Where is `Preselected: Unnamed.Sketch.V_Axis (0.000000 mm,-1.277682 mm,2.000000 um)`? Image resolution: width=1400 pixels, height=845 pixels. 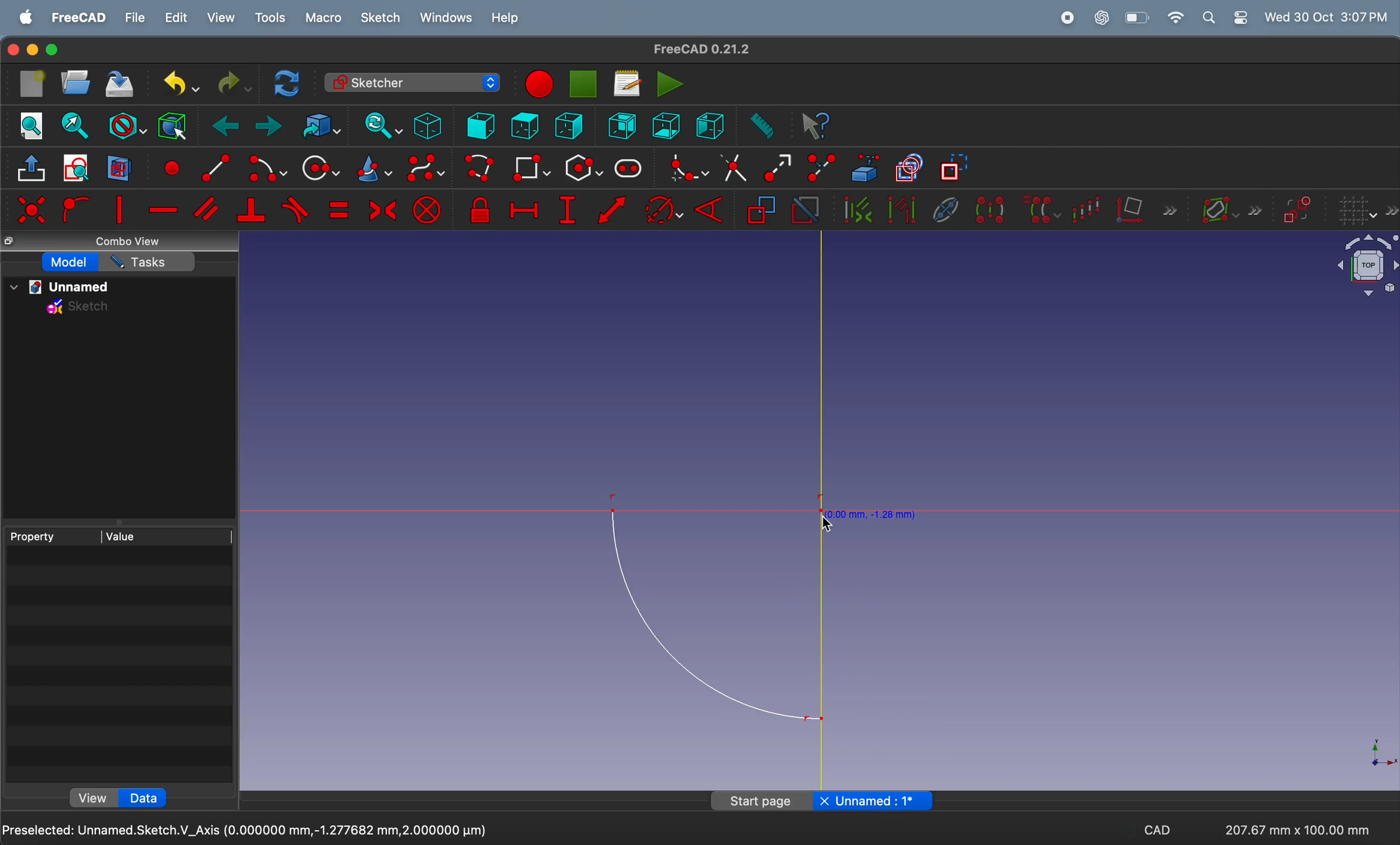 Preselected: Unnamed.Sketch.V_Axis (0.000000 mm,-1.277682 mm,2.000000 um) is located at coordinates (245, 831).